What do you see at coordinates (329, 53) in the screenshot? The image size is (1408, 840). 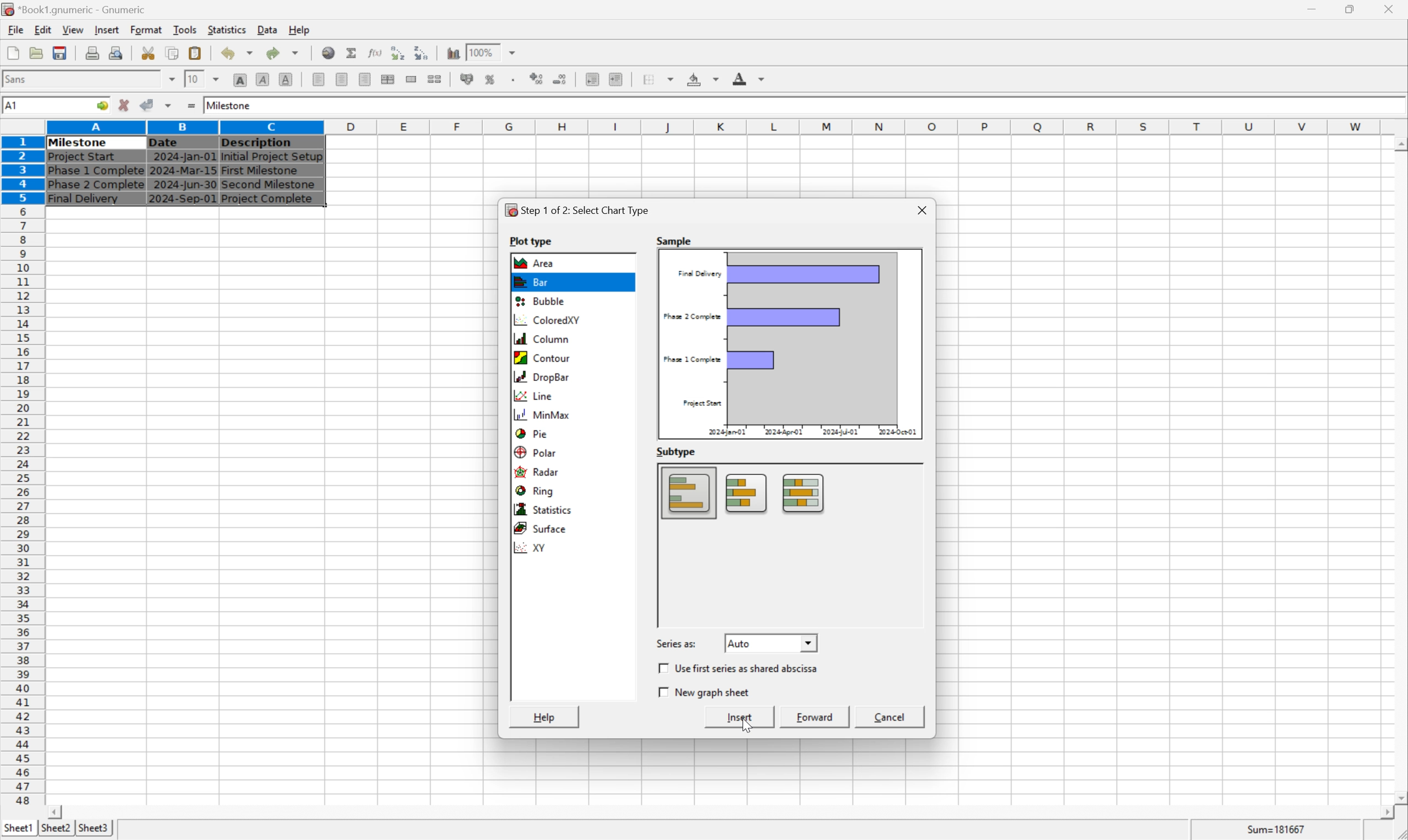 I see `insert a hyperlink` at bounding box center [329, 53].